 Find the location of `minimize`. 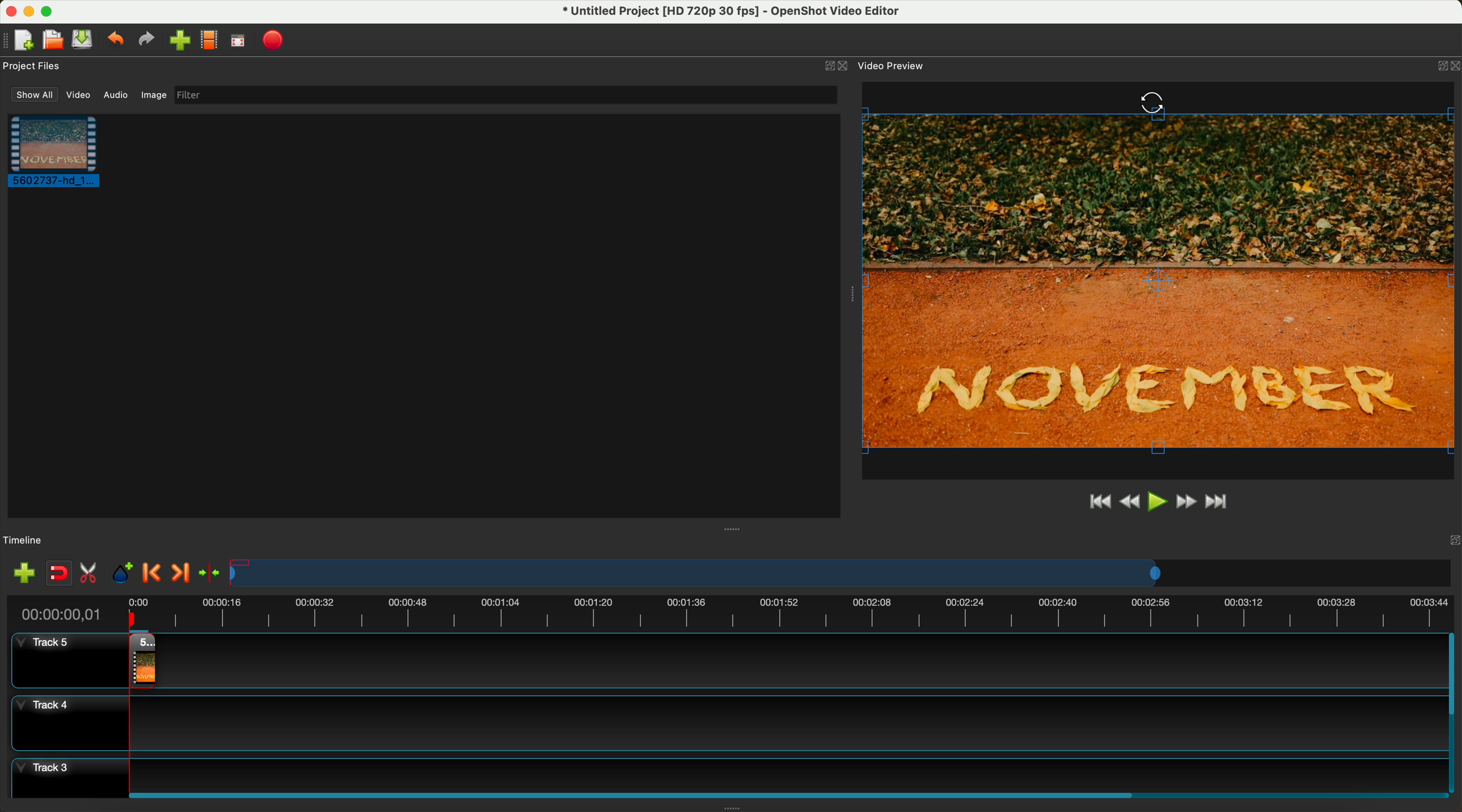

minimize is located at coordinates (823, 67).